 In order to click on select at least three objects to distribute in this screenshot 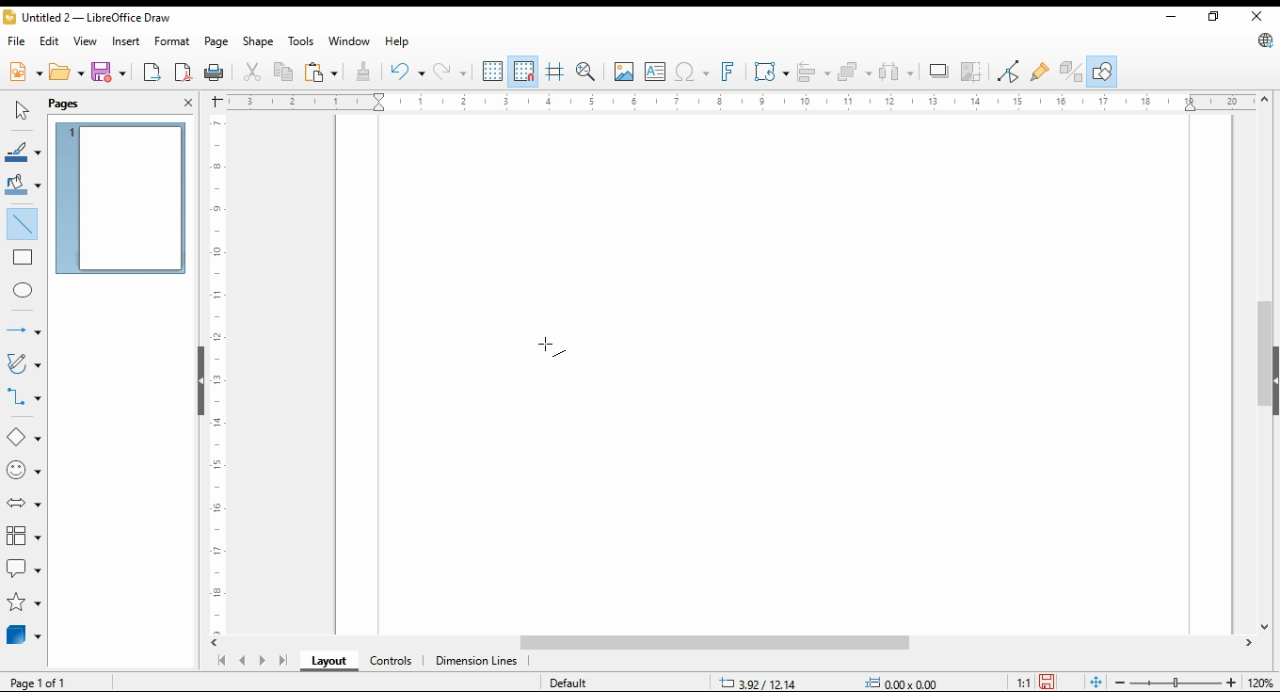, I will do `click(896, 72)`.